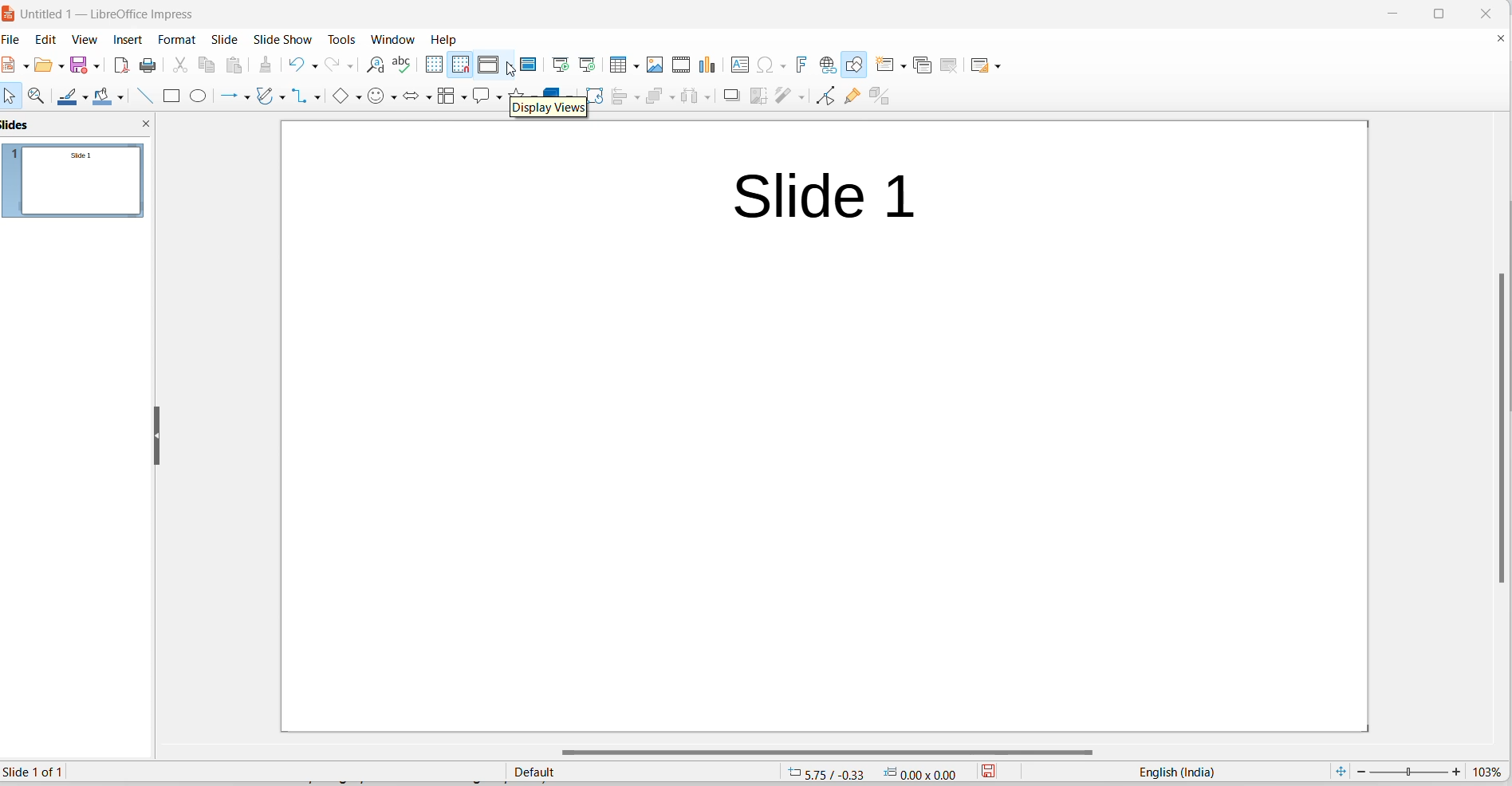 This screenshot has height=786, width=1512. Describe the element at coordinates (333, 65) in the screenshot. I see `redo ` at that location.